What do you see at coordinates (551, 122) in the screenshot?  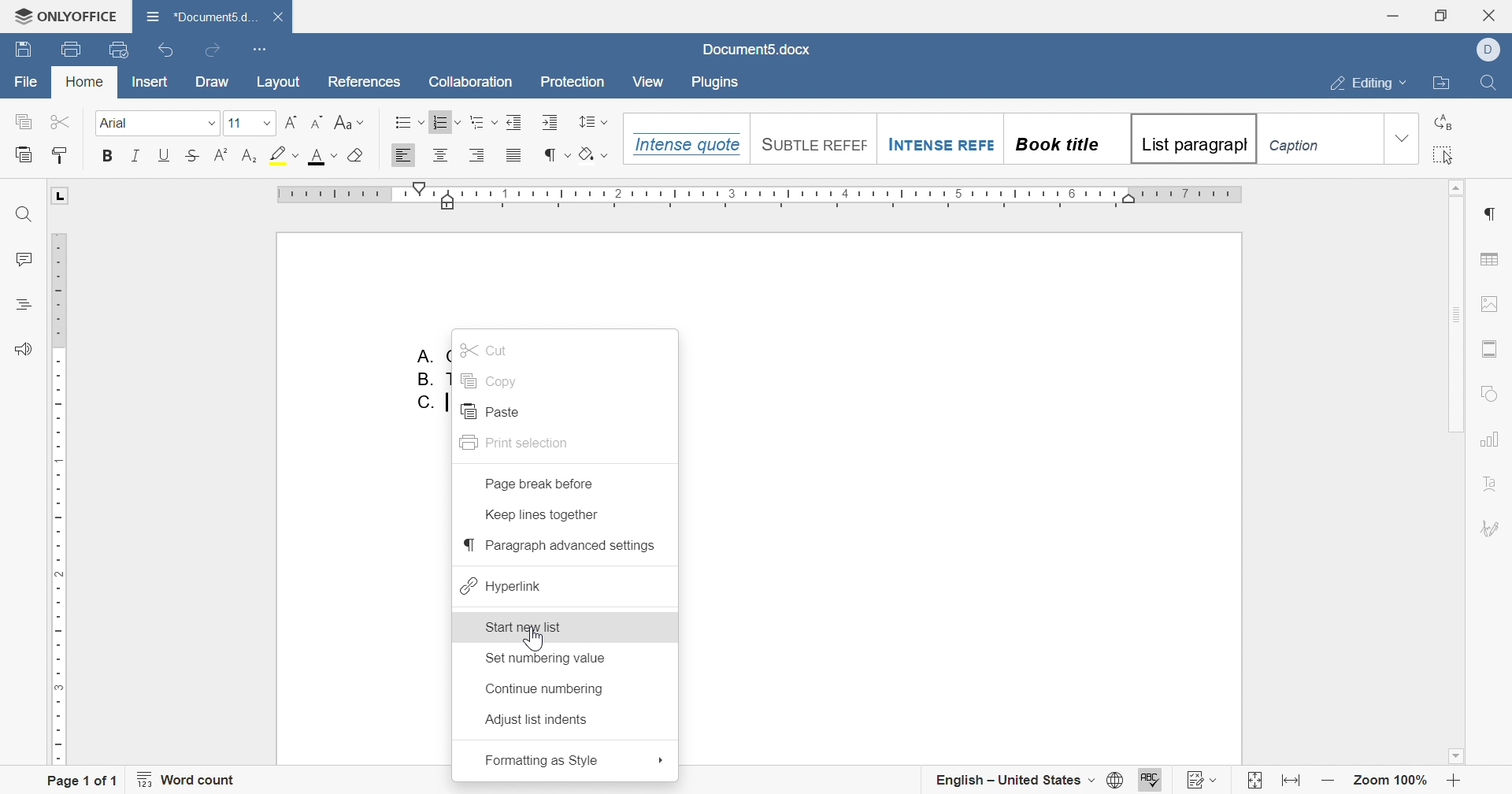 I see `Increase indent` at bounding box center [551, 122].